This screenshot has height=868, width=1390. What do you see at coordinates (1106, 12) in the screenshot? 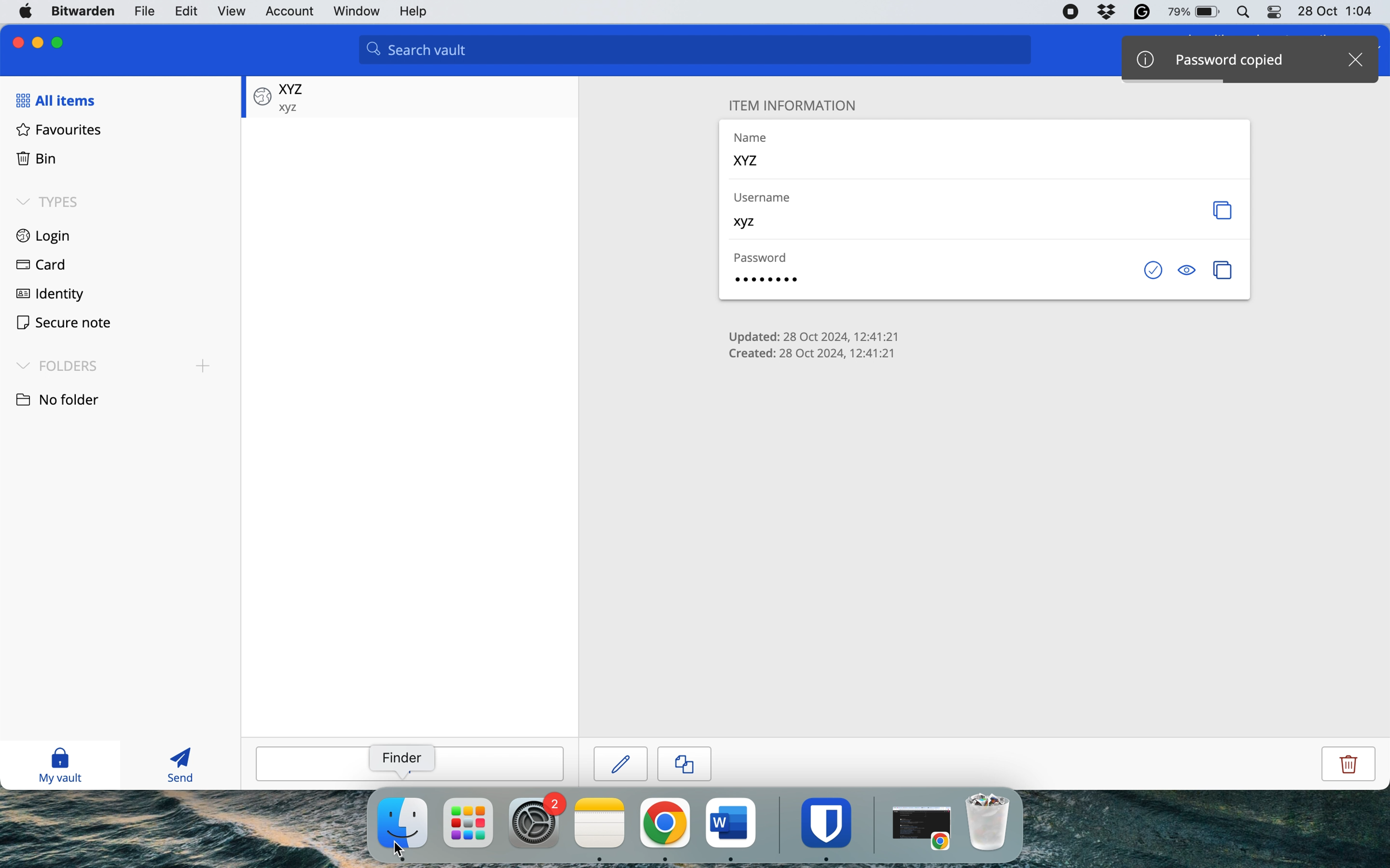
I see `dropbox` at bounding box center [1106, 12].